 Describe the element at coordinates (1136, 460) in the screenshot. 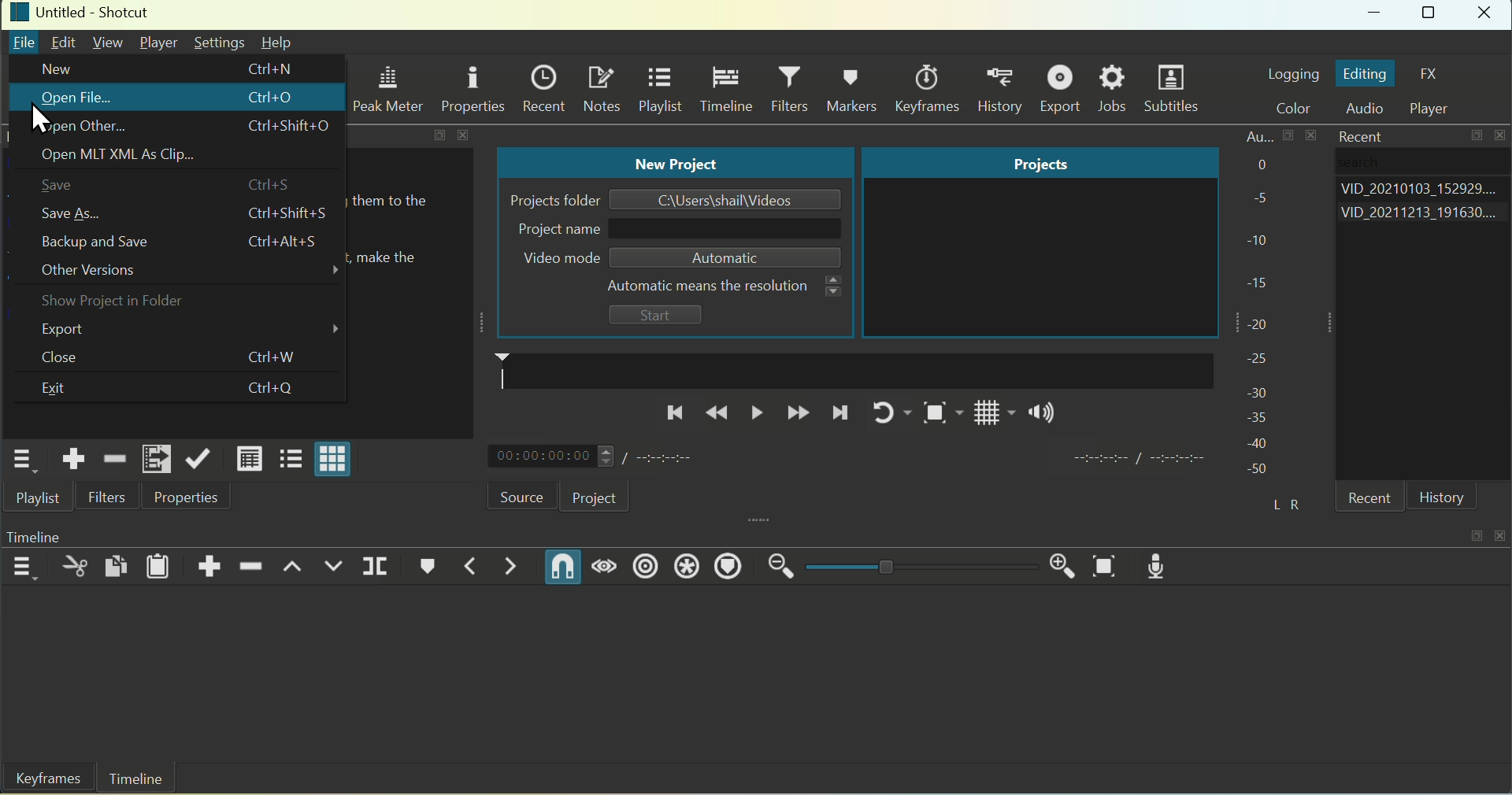

I see `duration` at that location.